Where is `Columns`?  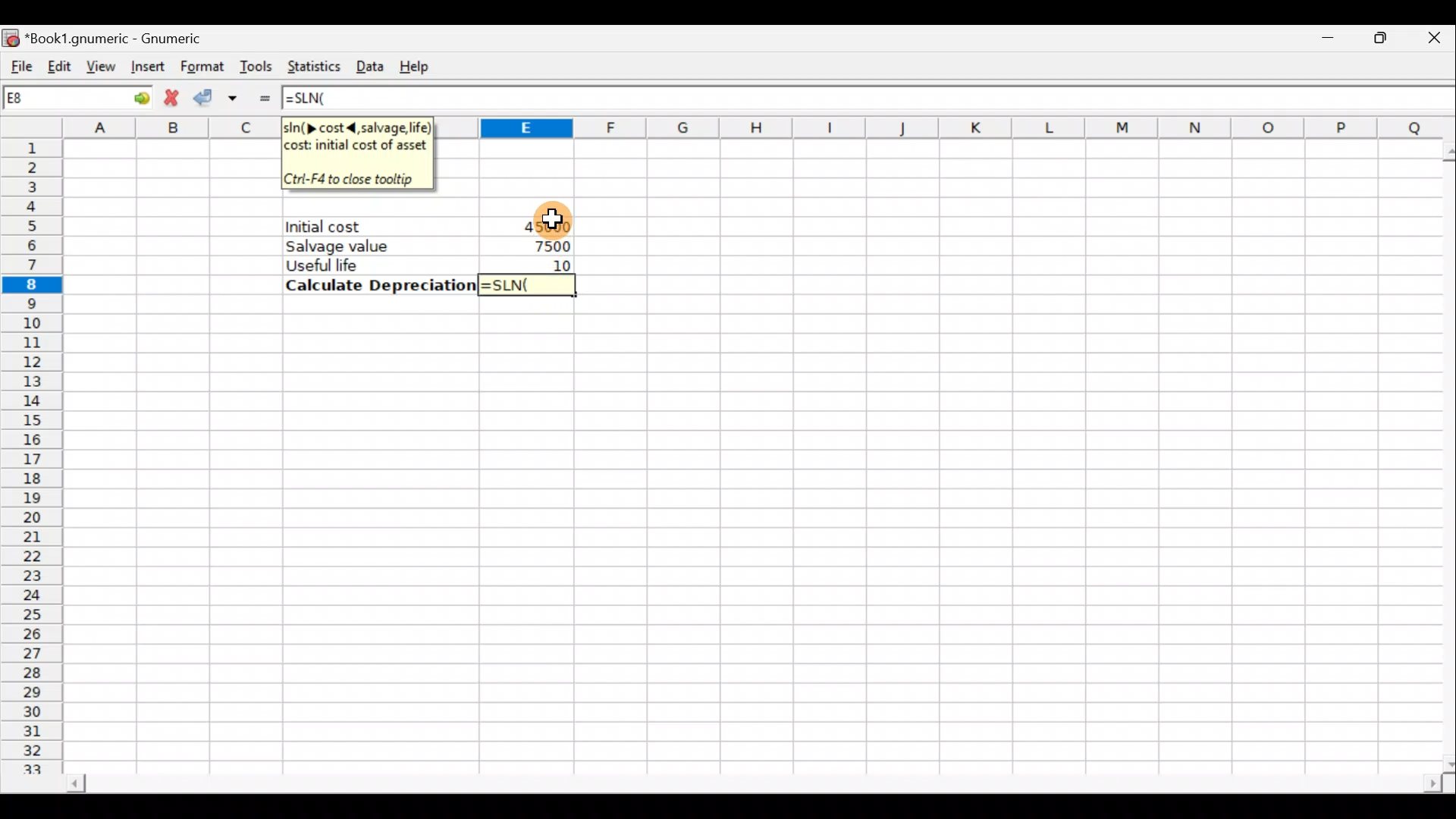 Columns is located at coordinates (949, 127).